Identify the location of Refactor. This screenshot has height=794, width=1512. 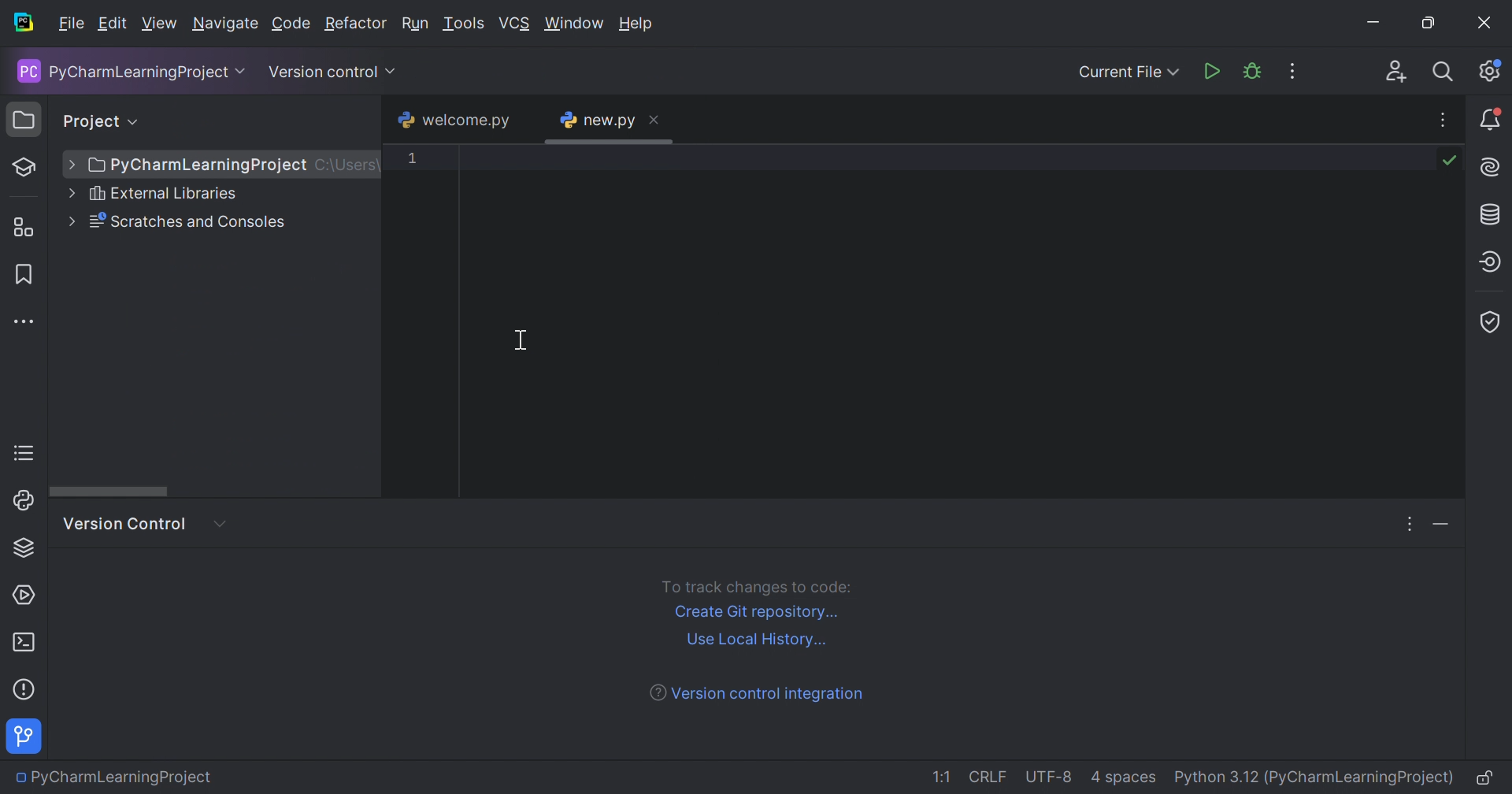
(355, 25).